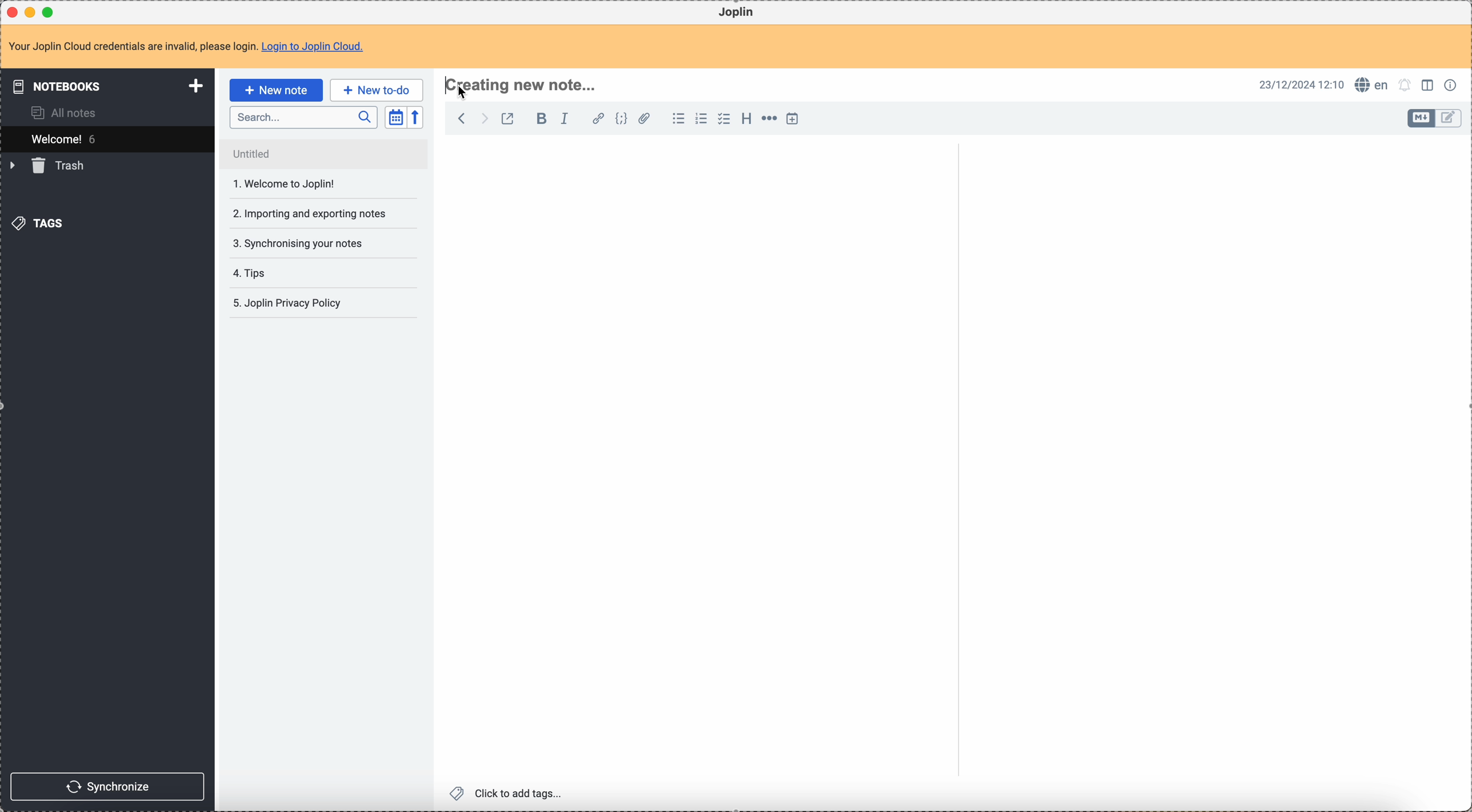 The height and width of the screenshot is (812, 1472). Describe the element at coordinates (1422, 118) in the screenshot. I see `toggle edit layout` at that location.